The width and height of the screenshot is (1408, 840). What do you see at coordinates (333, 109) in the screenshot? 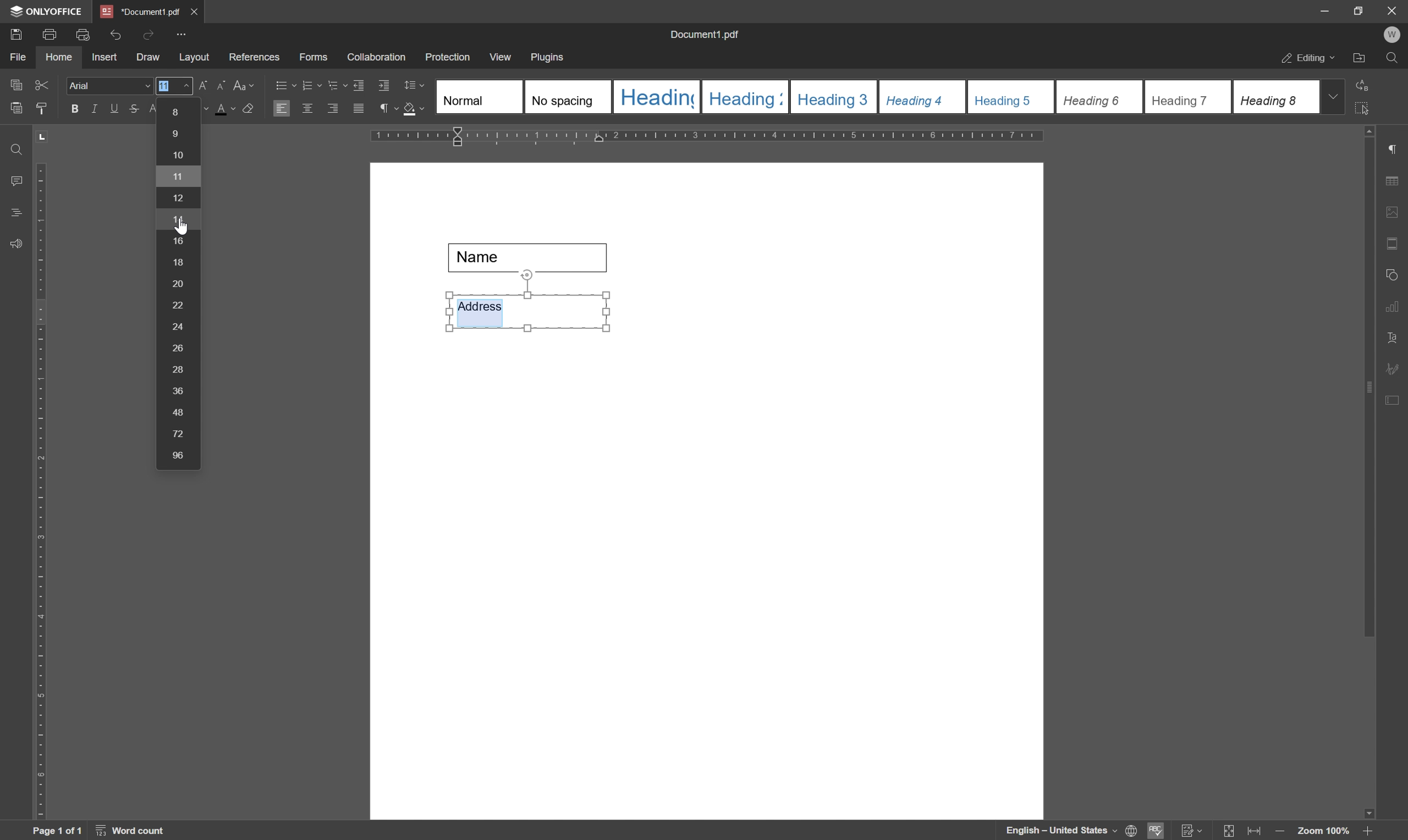
I see `Align right` at bounding box center [333, 109].